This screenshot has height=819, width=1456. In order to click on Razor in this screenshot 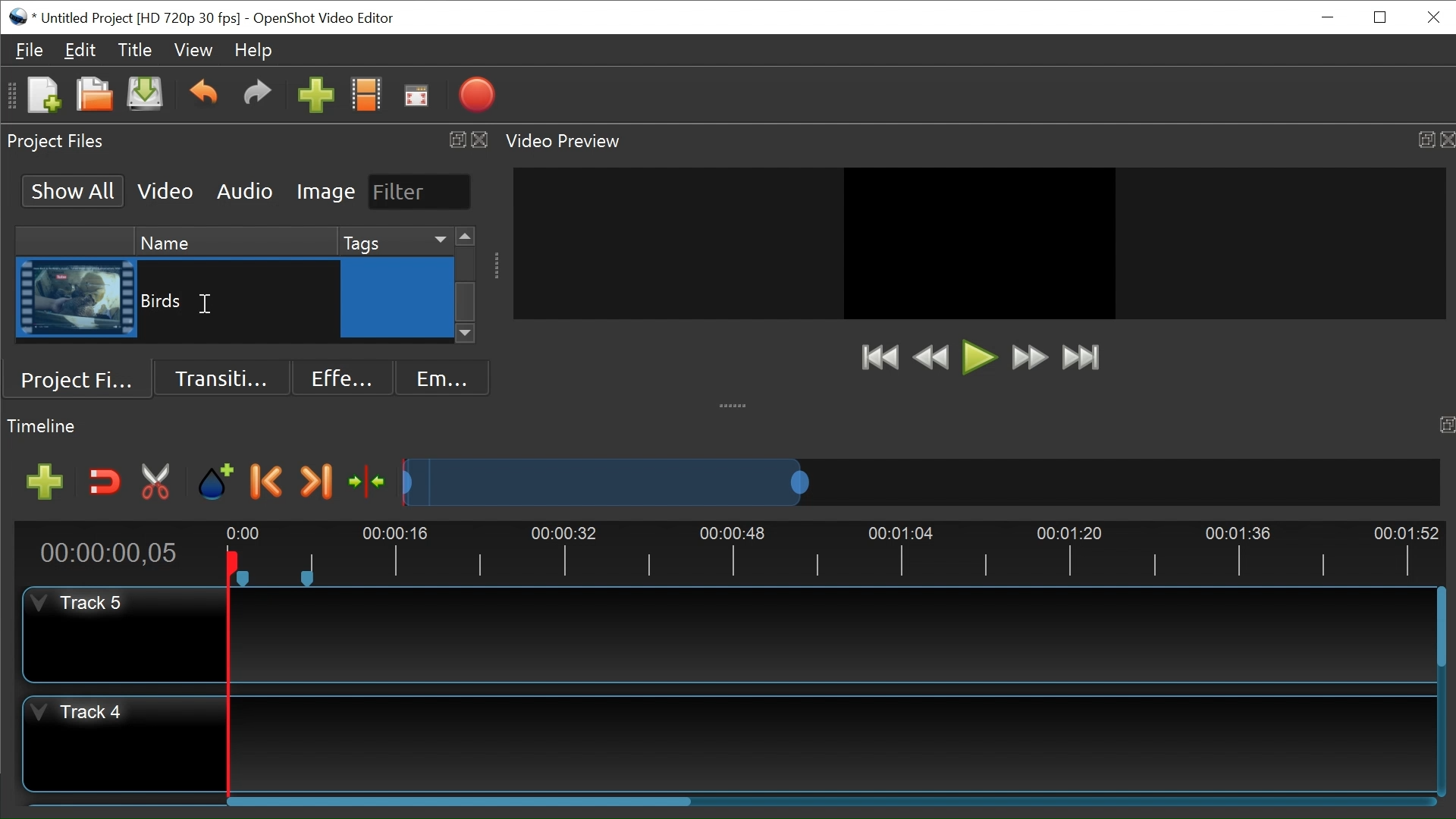, I will do `click(157, 482)`.